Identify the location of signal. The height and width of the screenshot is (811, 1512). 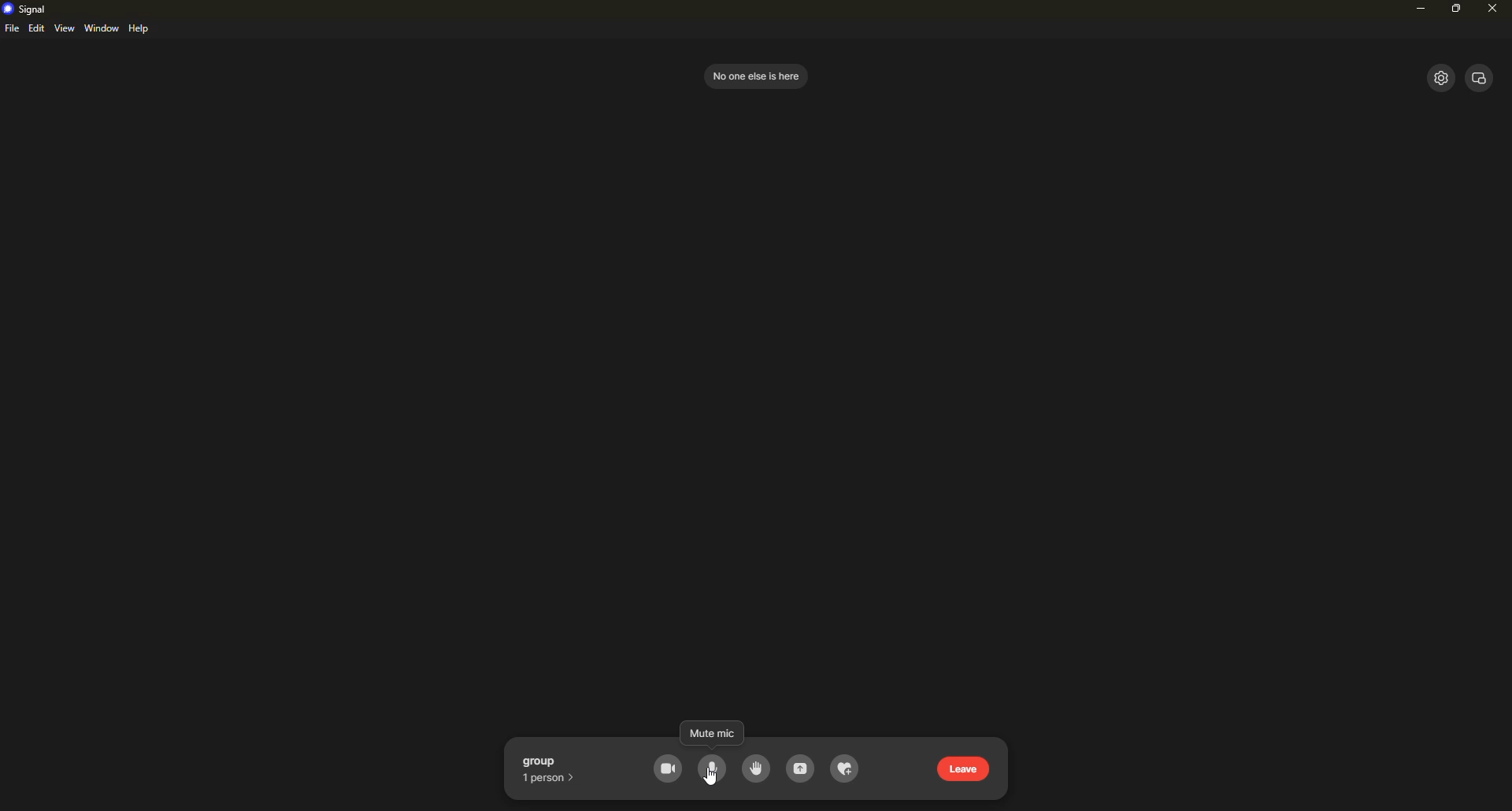
(27, 8).